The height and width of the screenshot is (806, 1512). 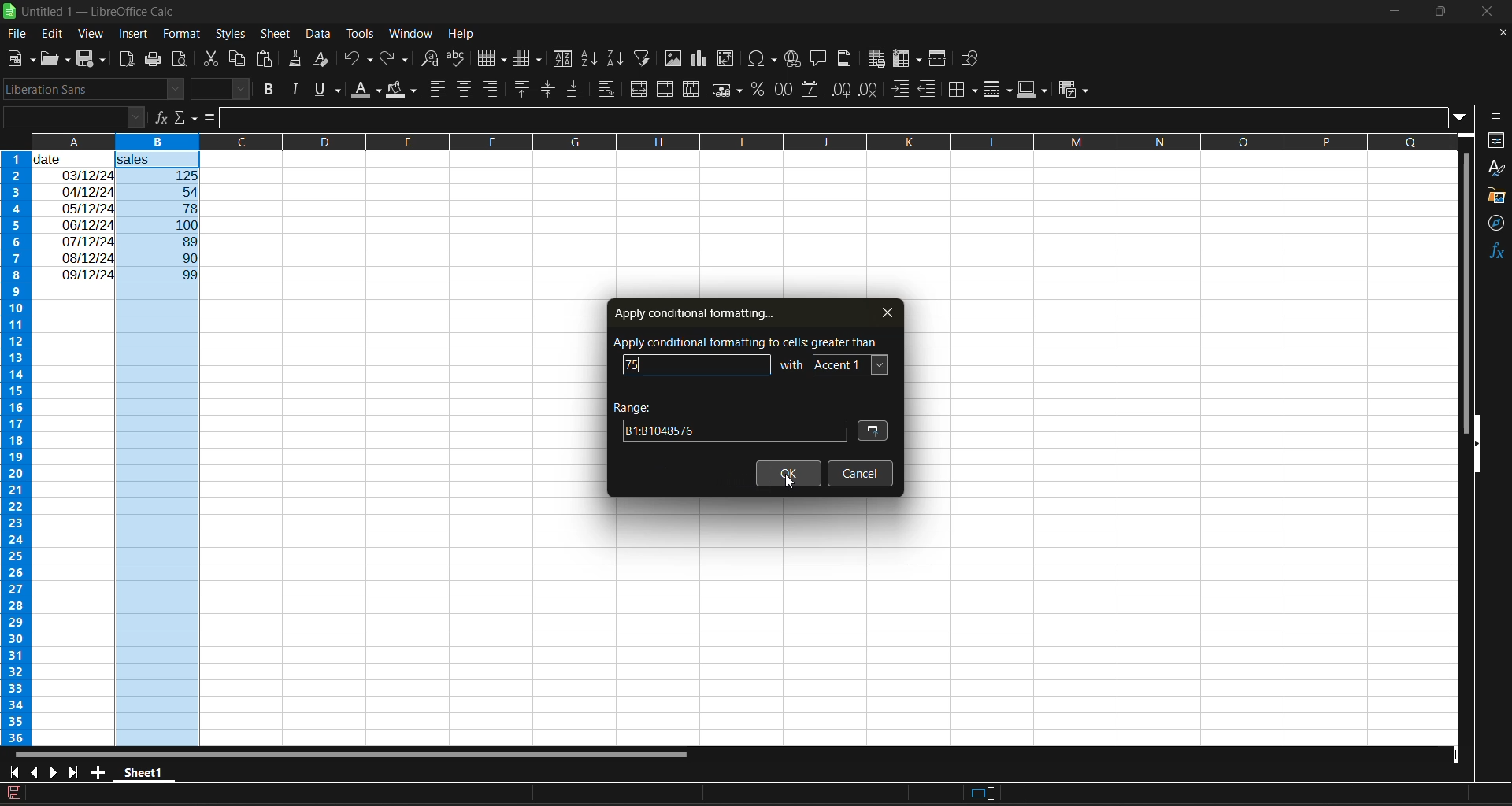 I want to click on headers and footers, so click(x=849, y=58).